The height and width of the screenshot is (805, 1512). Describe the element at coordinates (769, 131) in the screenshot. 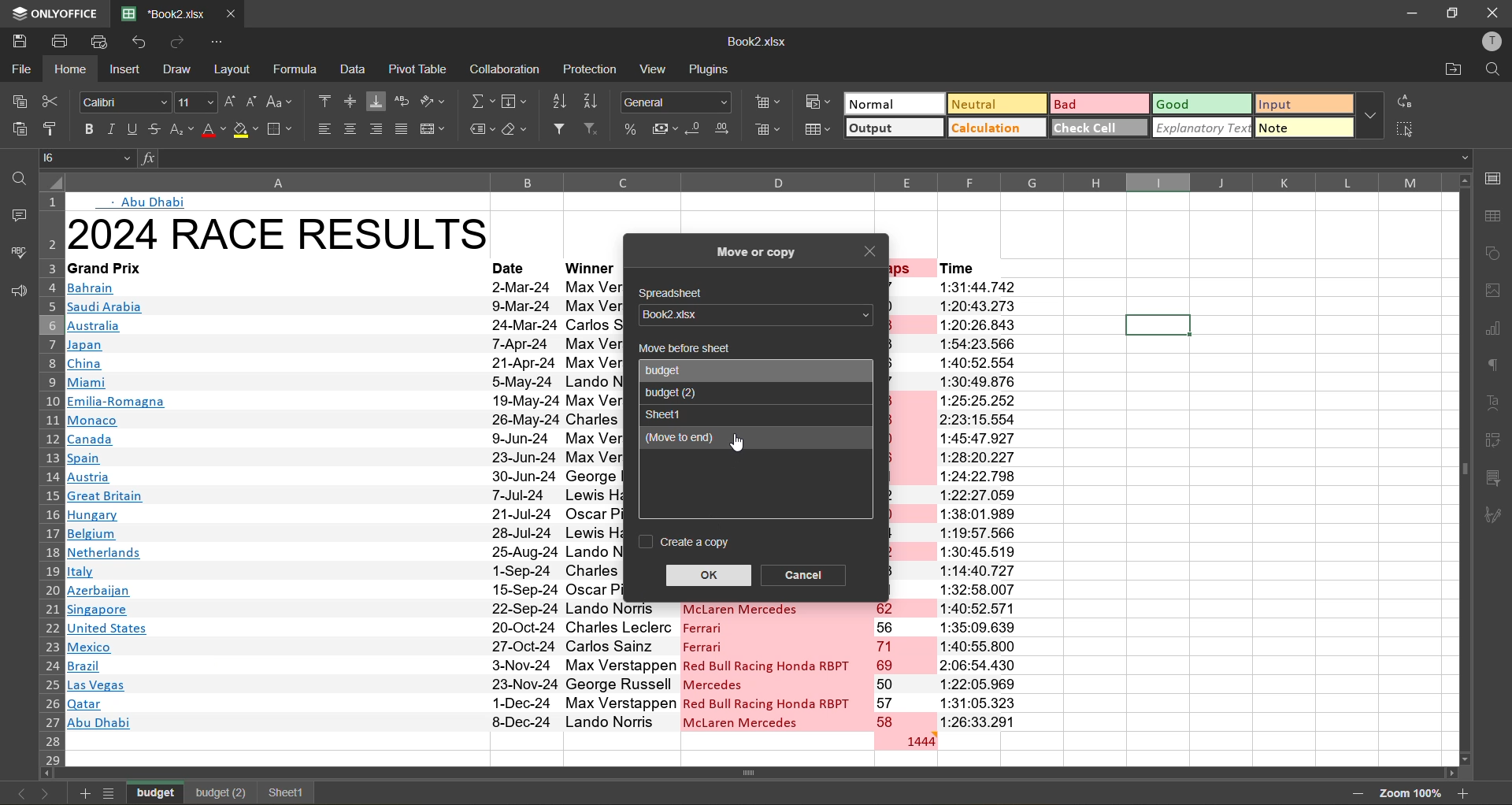

I see `delete cells` at that location.